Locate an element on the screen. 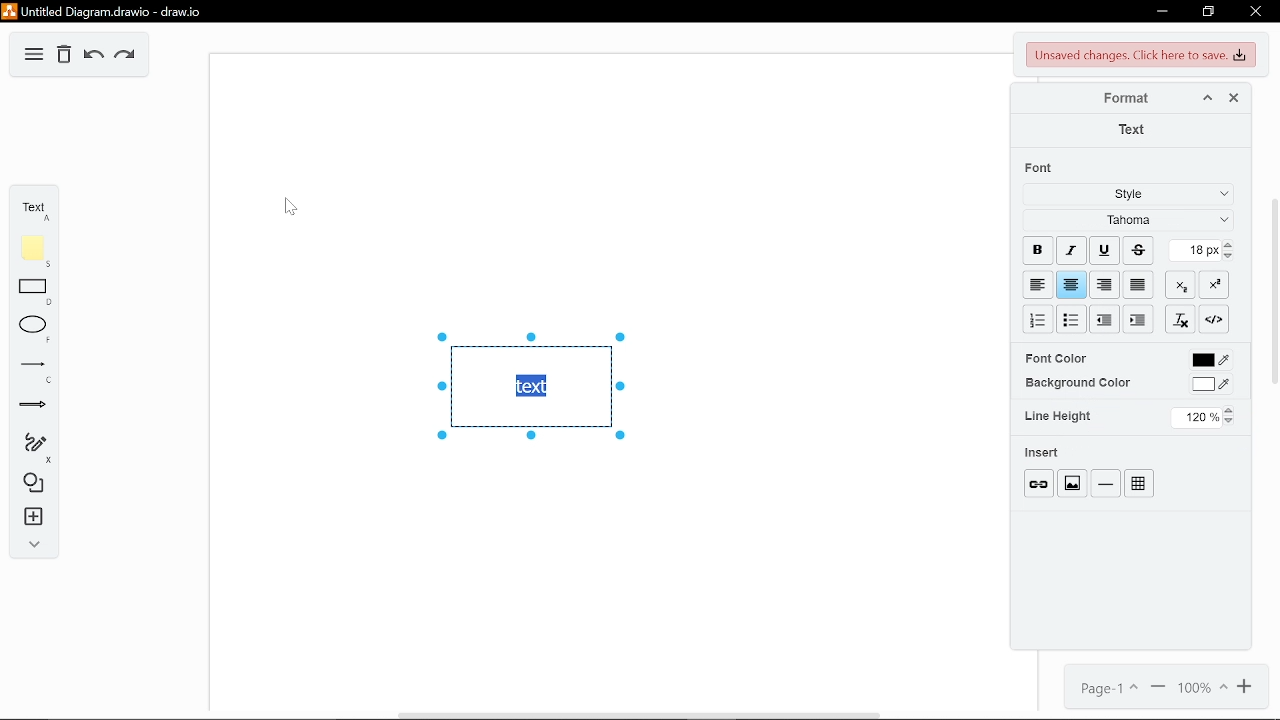  insert is located at coordinates (1043, 452).